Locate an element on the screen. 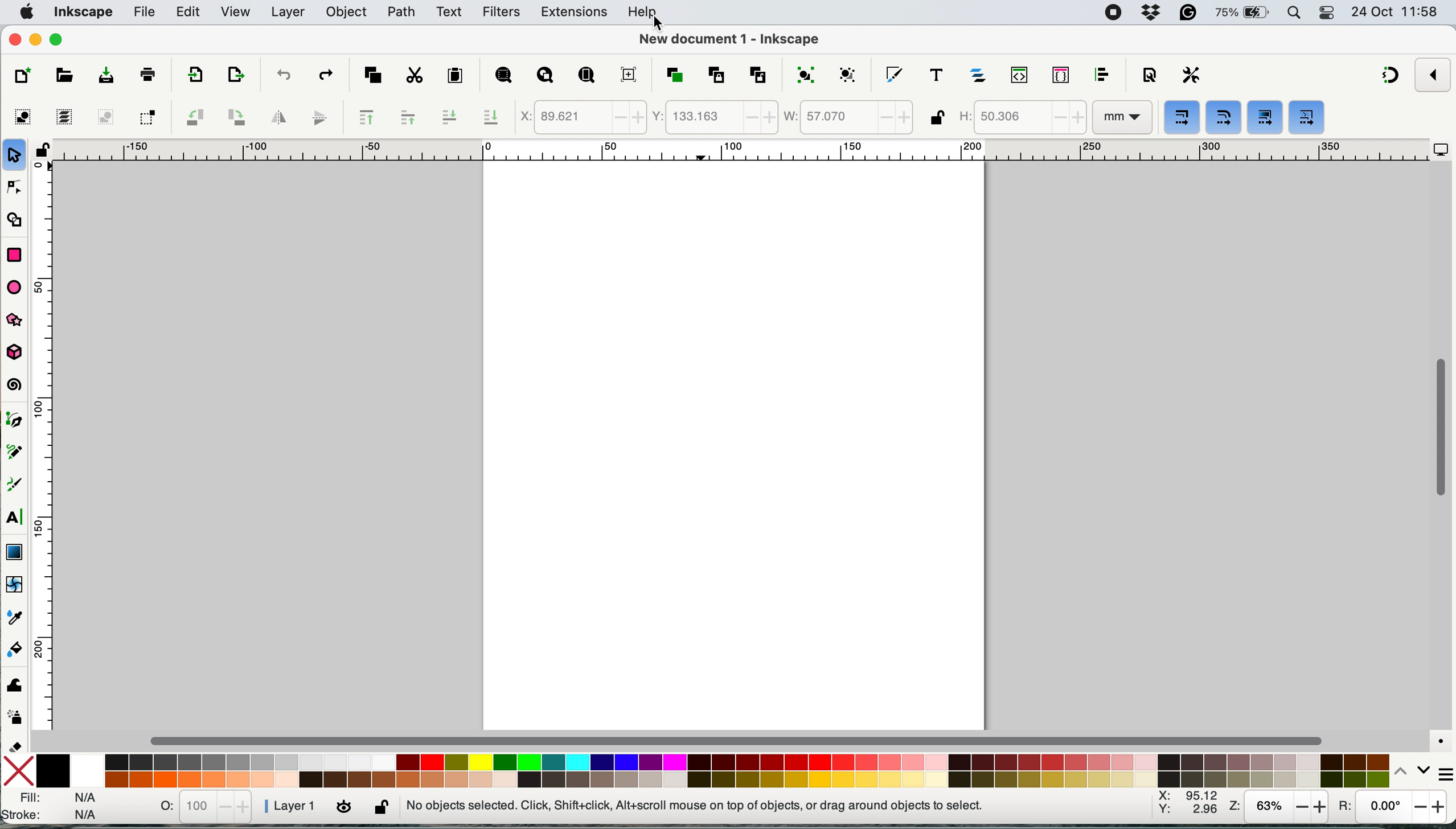  lock unlock is located at coordinates (43, 149).